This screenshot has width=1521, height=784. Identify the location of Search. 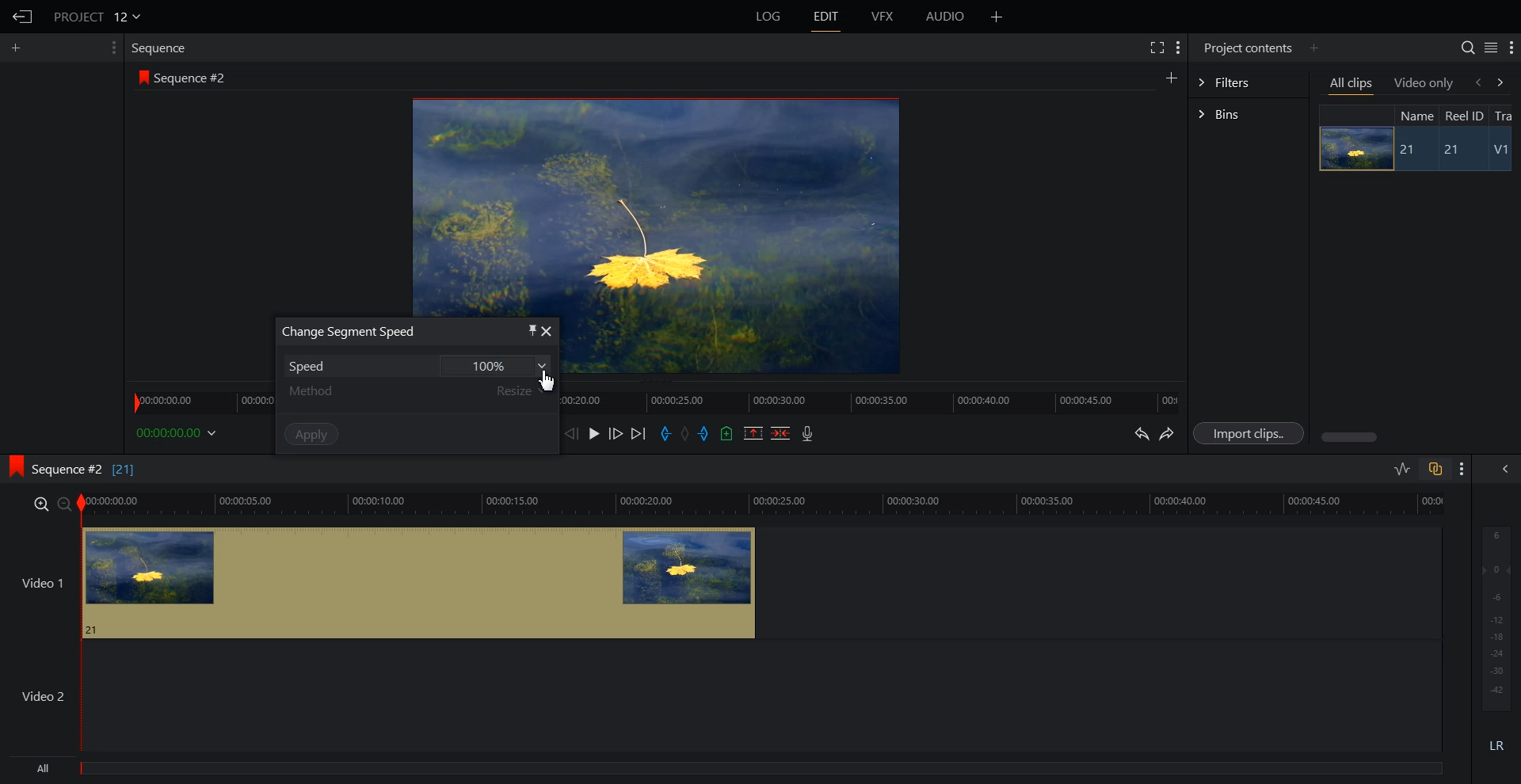
(1467, 48).